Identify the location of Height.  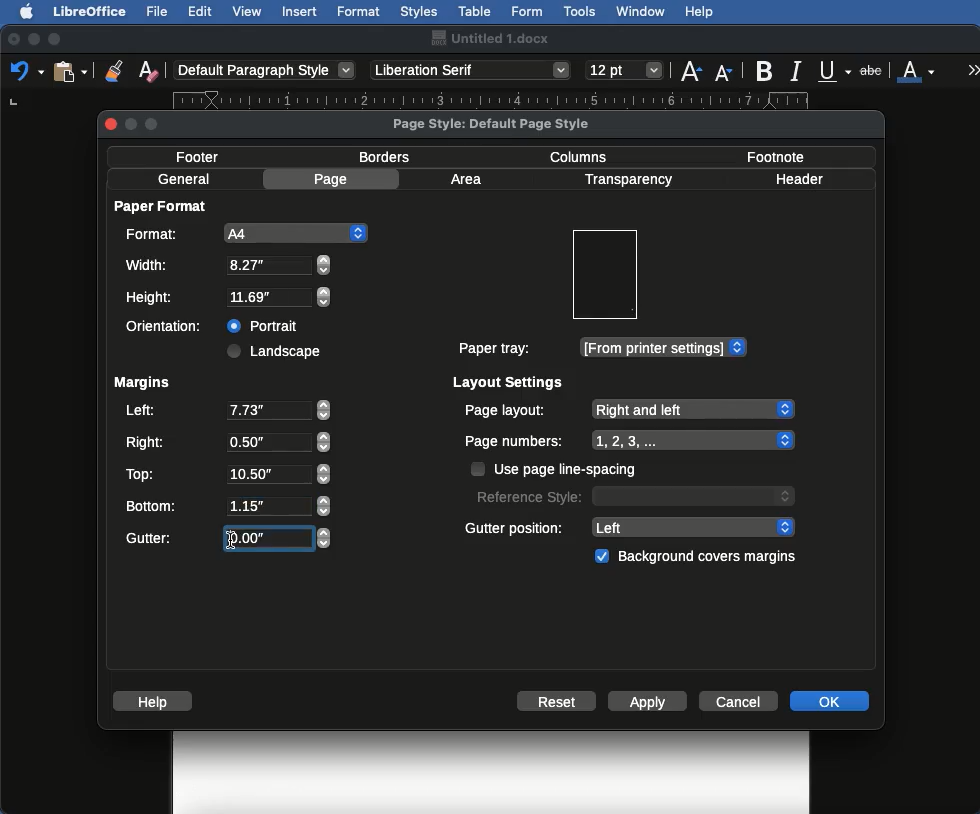
(229, 298).